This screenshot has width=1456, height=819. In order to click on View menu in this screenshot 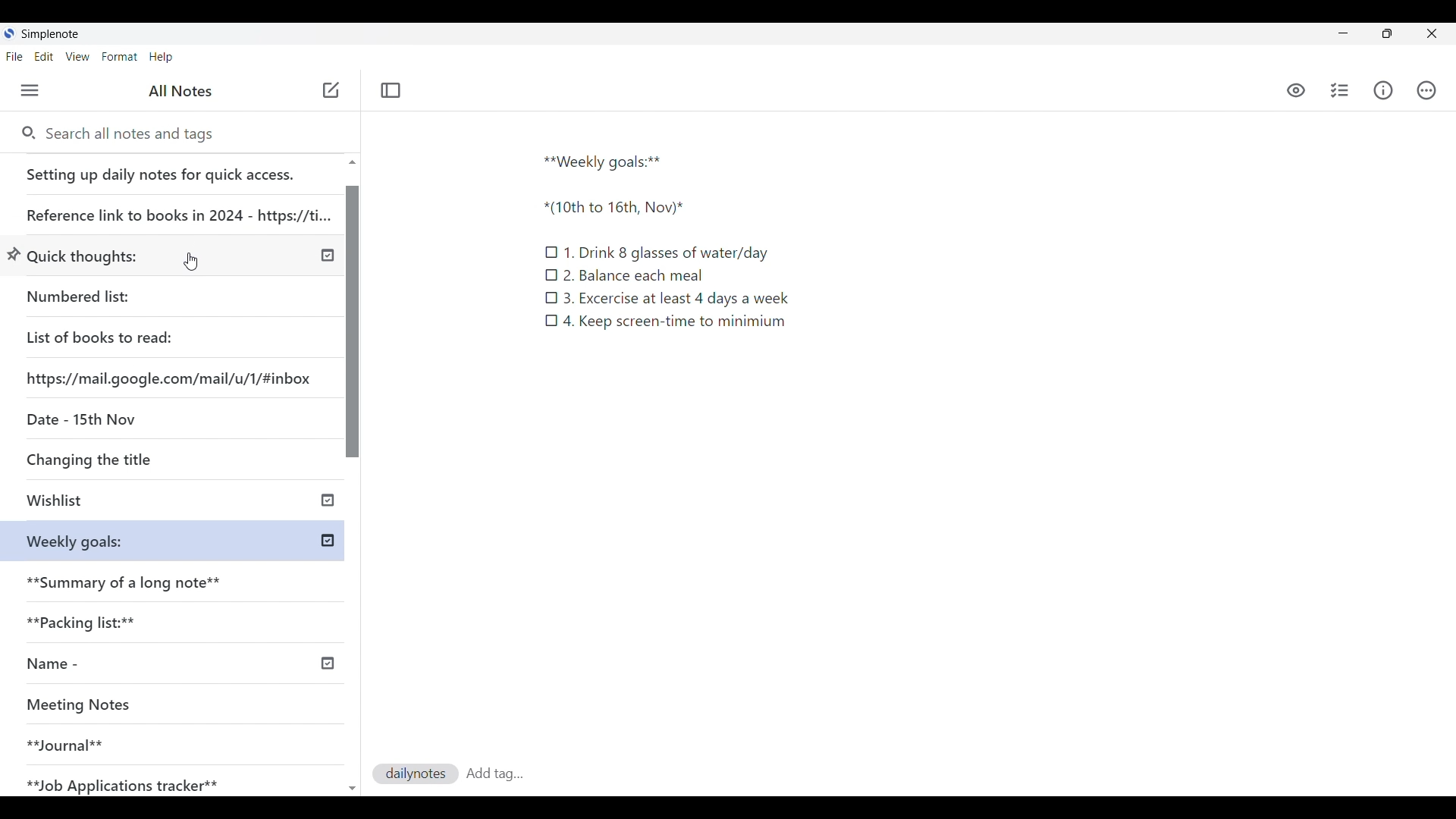, I will do `click(77, 57)`.